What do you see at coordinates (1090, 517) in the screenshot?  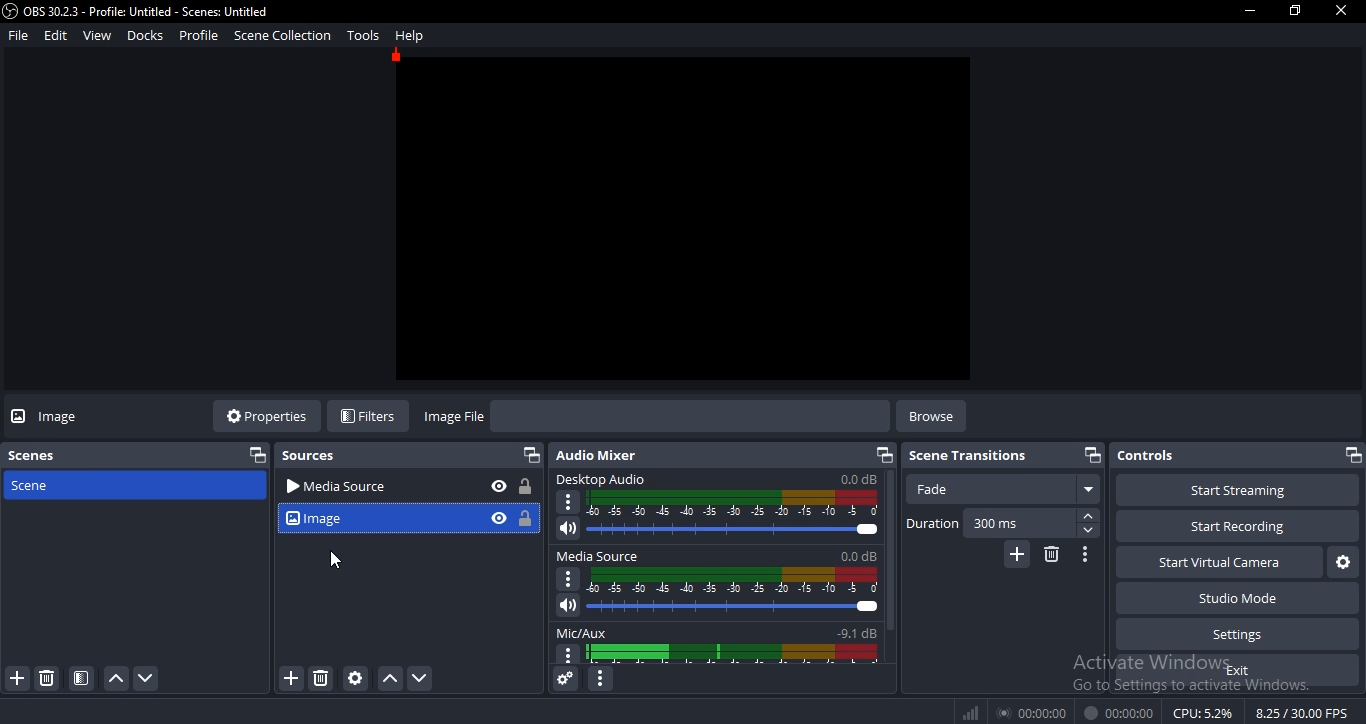 I see `forward` at bounding box center [1090, 517].